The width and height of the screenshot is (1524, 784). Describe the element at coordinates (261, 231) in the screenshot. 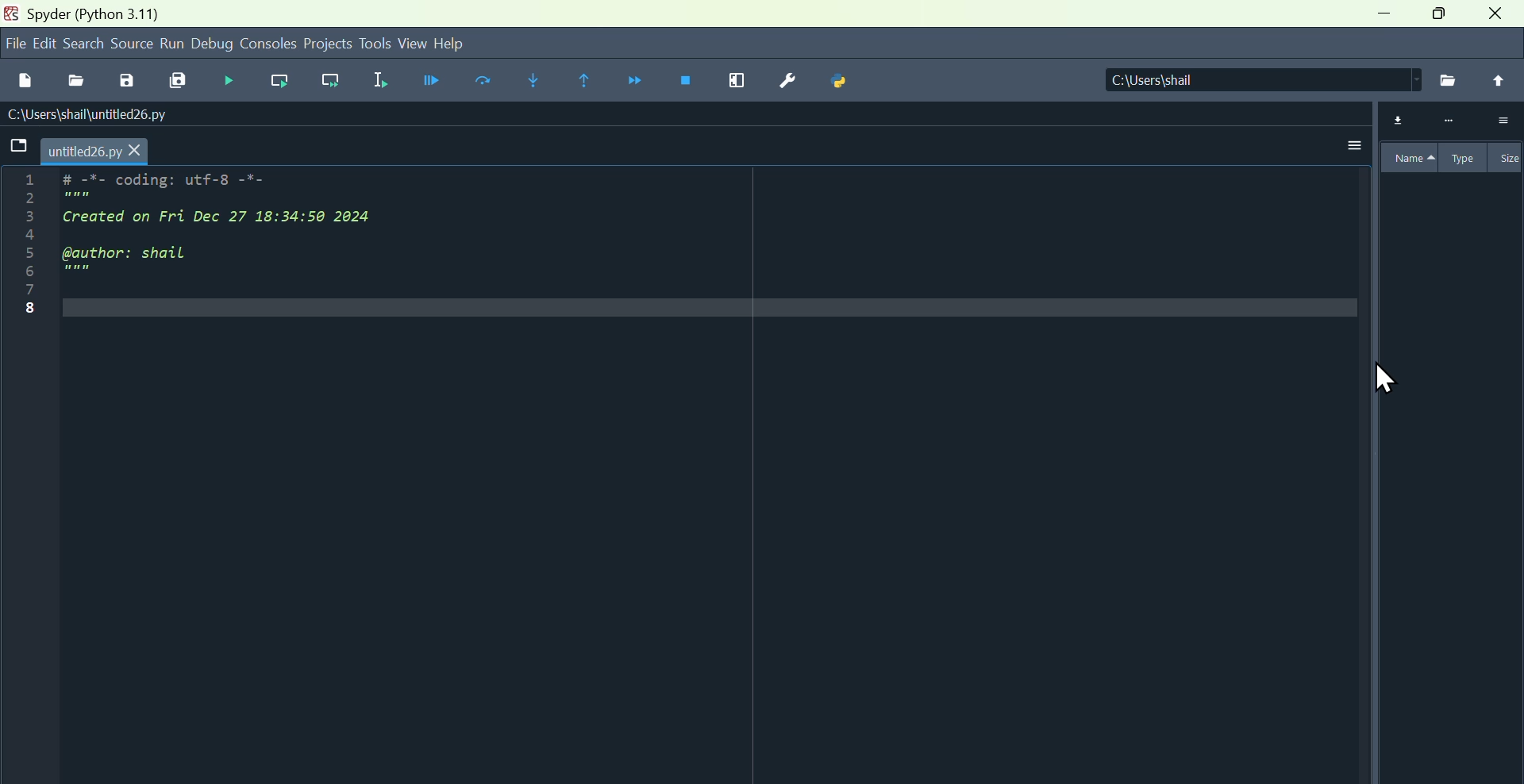

I see `# -*- coding: utf-8 -*-
Created on Fri Dec 27 18:34:50 2024
@author: shail` at that location.